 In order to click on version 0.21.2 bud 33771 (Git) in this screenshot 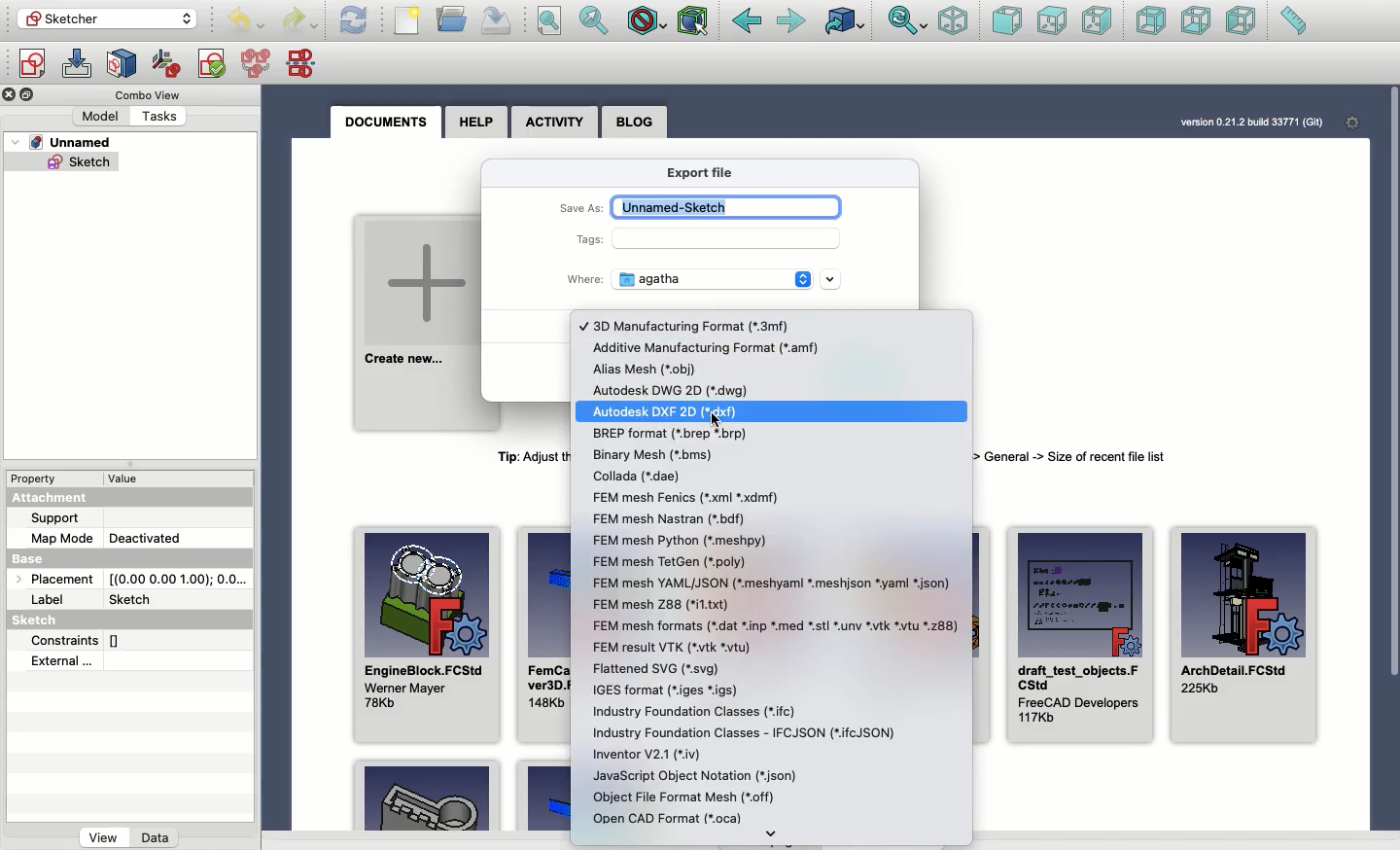, I will do `click(1246, 121)`.